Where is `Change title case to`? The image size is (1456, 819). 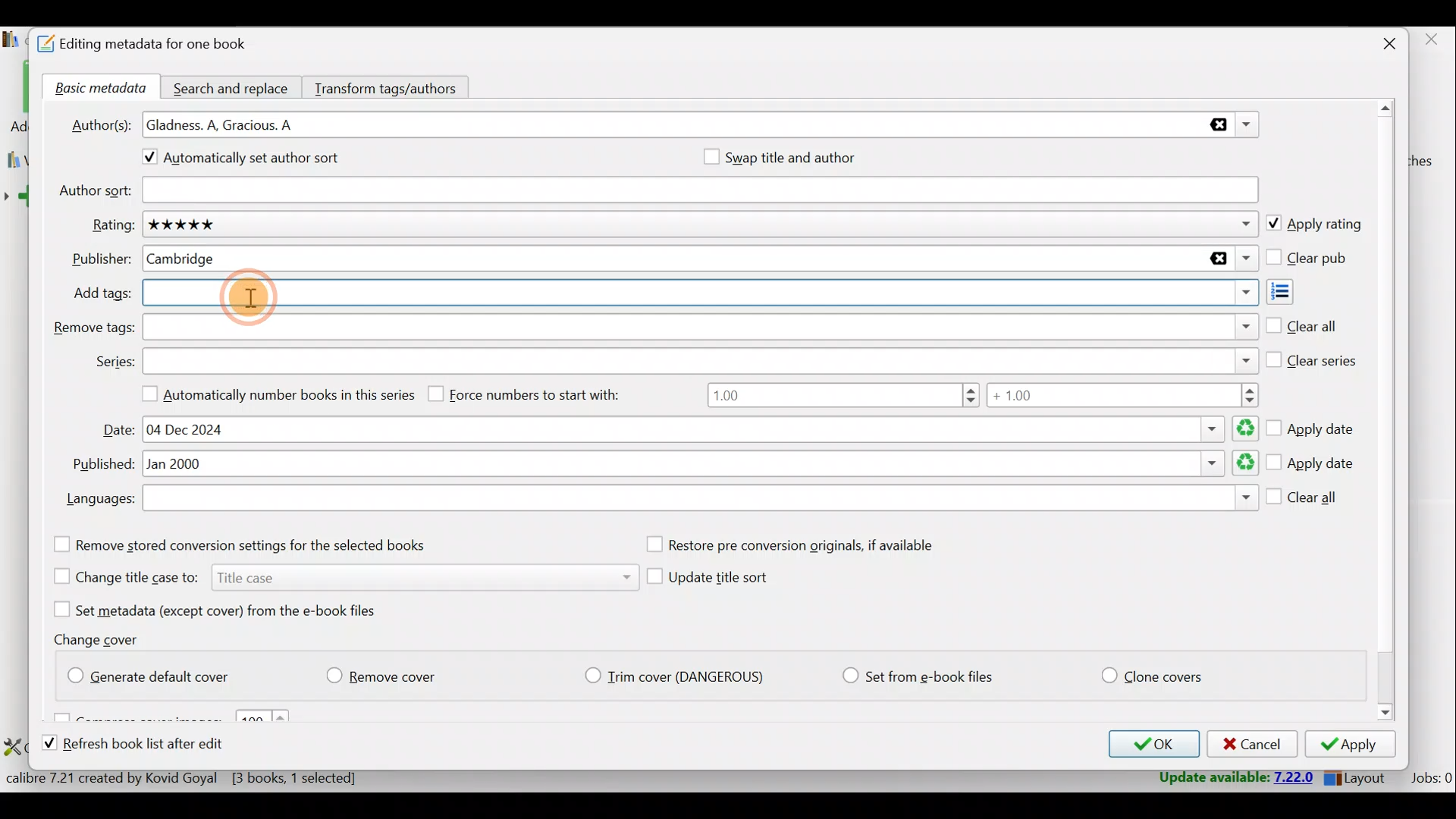 Change title case to is located at coordinates (339, 576).